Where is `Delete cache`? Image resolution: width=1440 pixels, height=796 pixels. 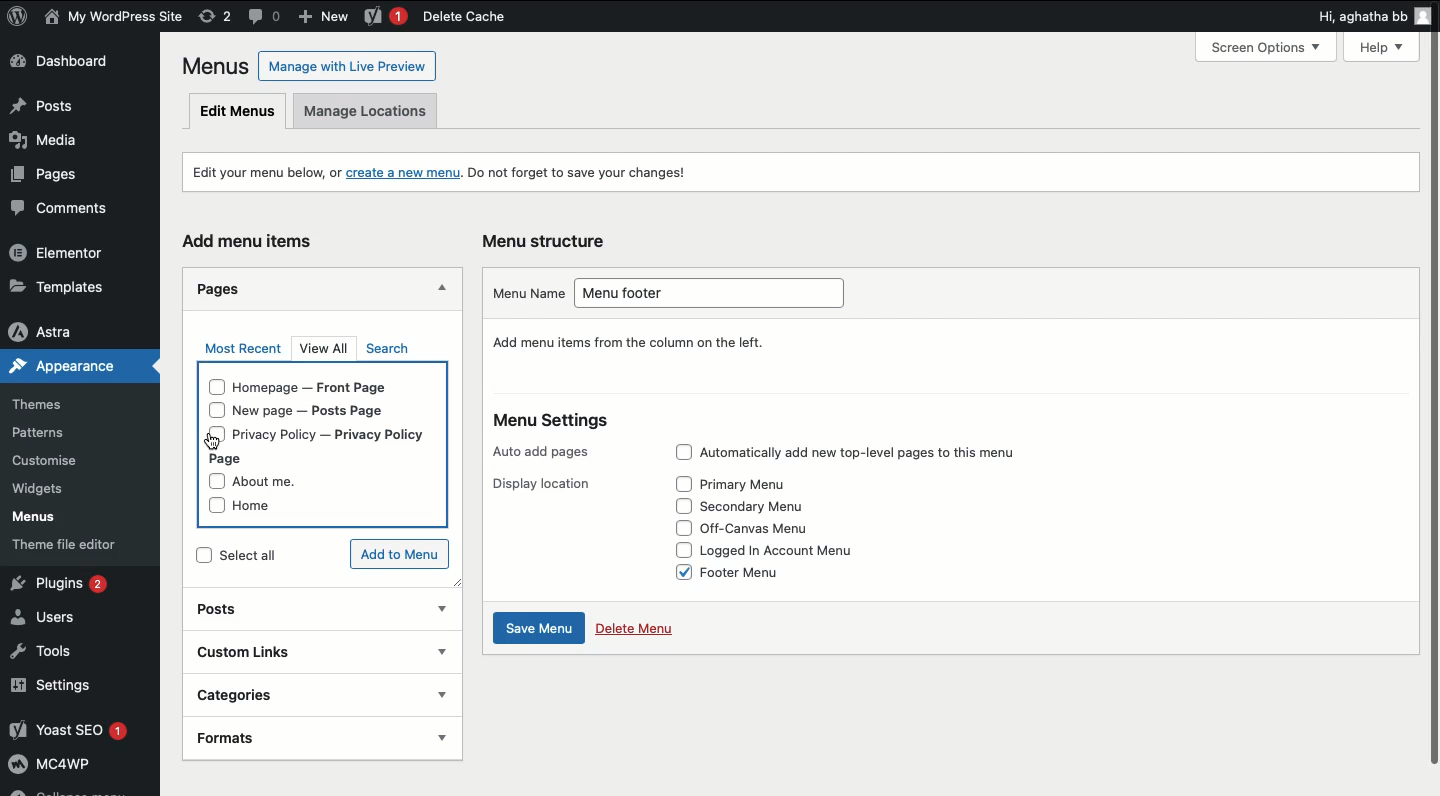 Delete cache is located at coordinates (463, 17).